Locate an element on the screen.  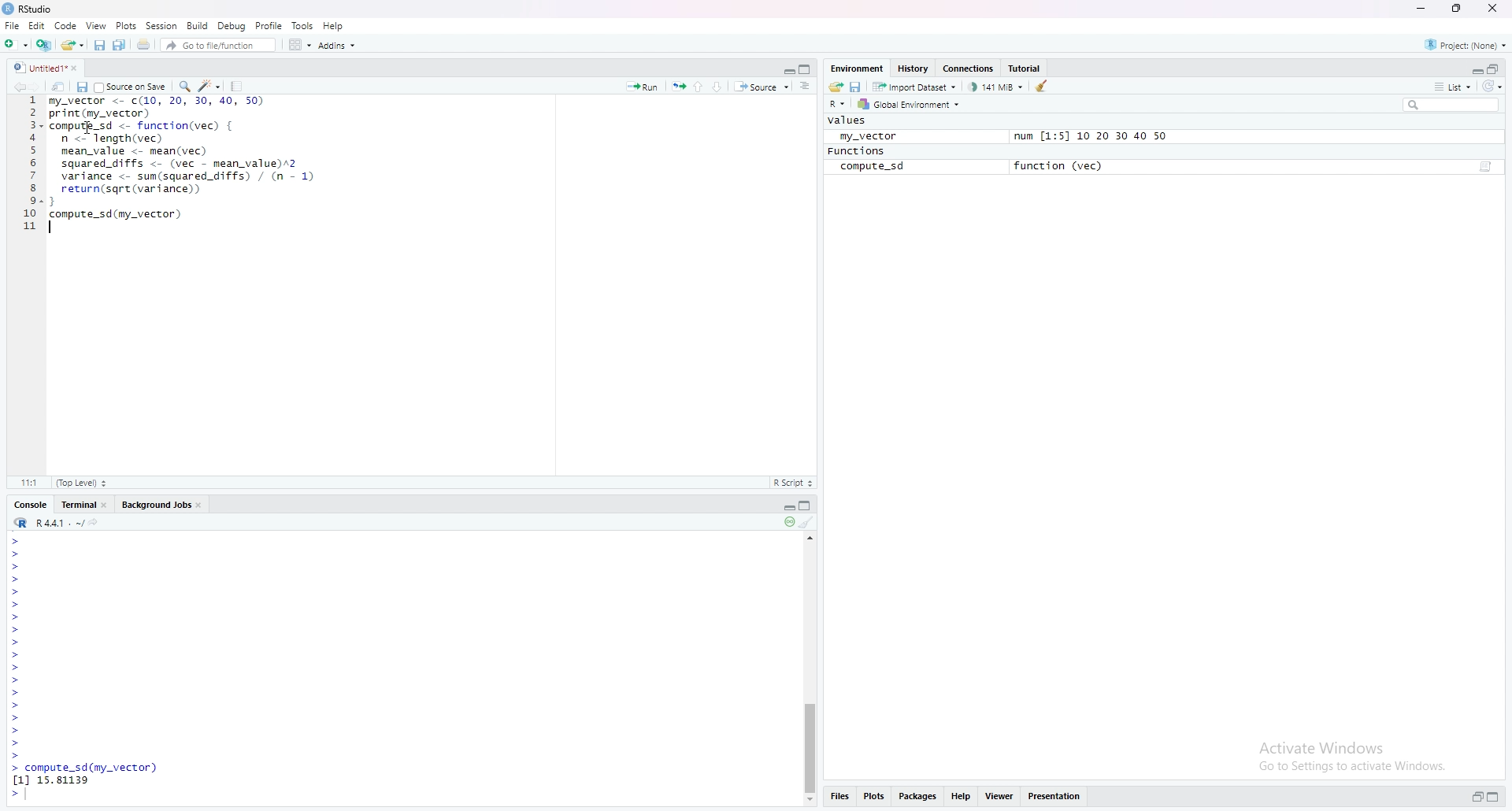
Profile is located at coordinates (269, 25).